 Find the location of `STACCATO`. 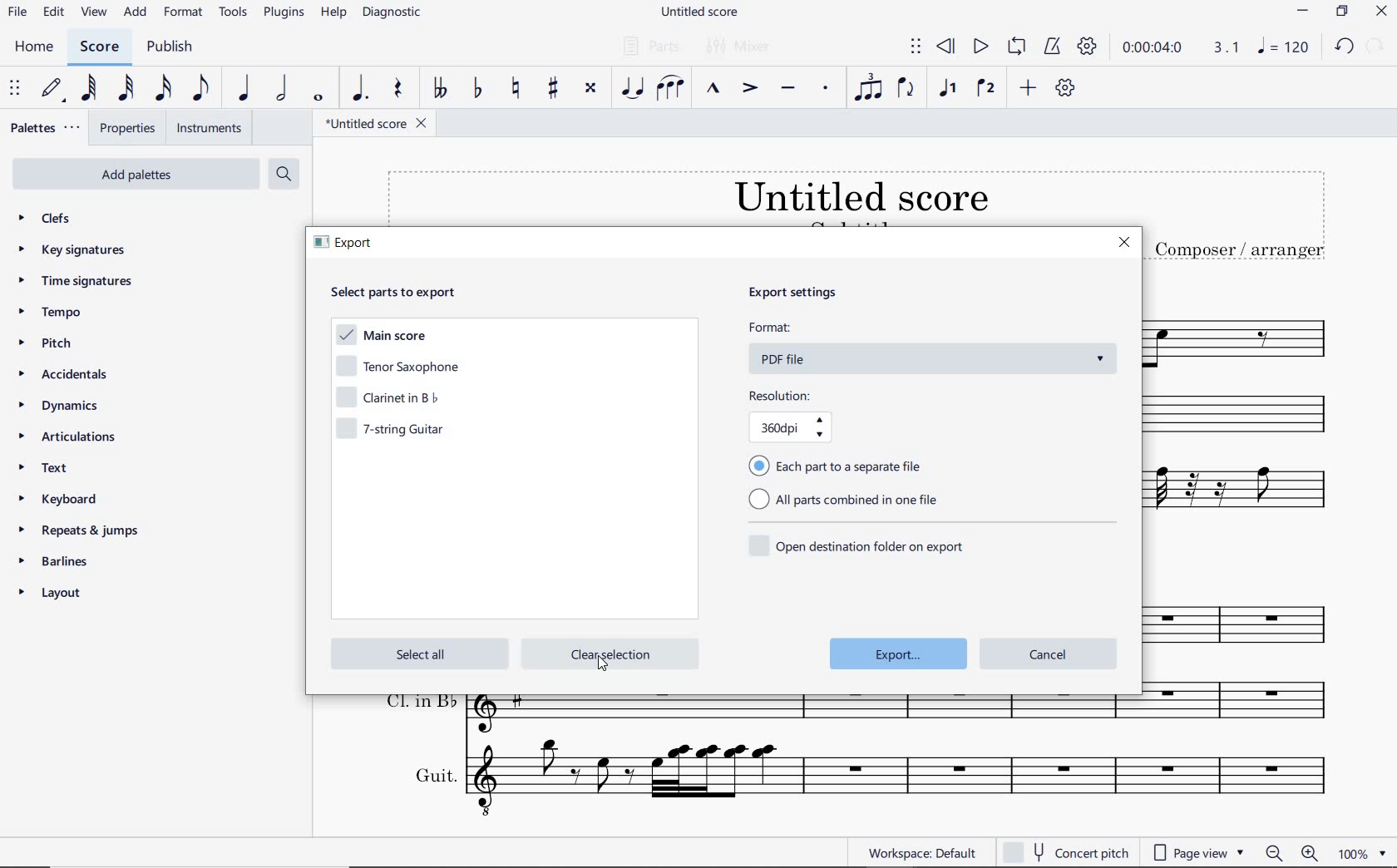

STACCATO is located at coordinates (827, 91).